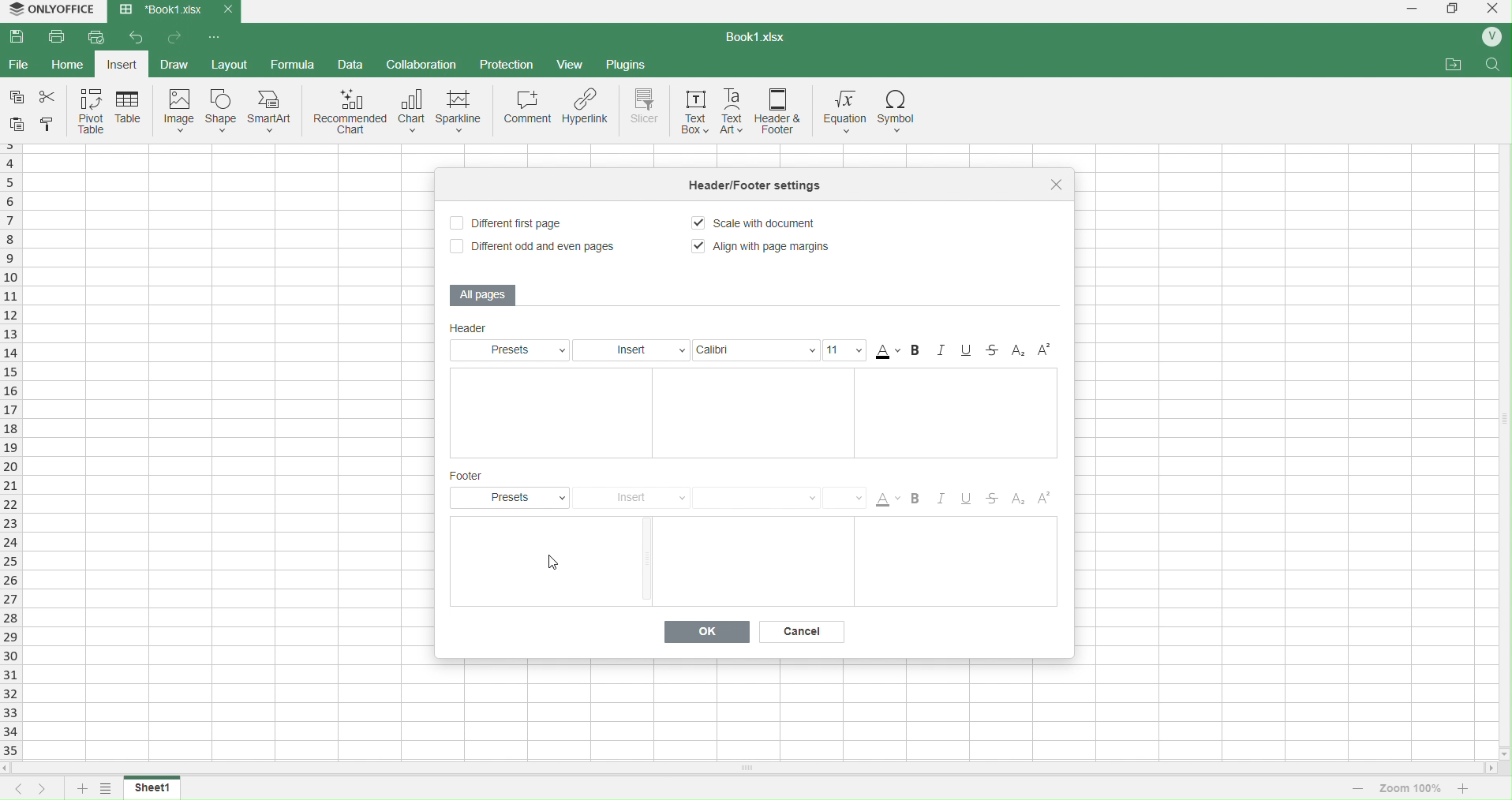 This screenshot has width=1512, height=800. Describe the element at coordinates (293, 65) in the screenshot. I see `formula` at that location.